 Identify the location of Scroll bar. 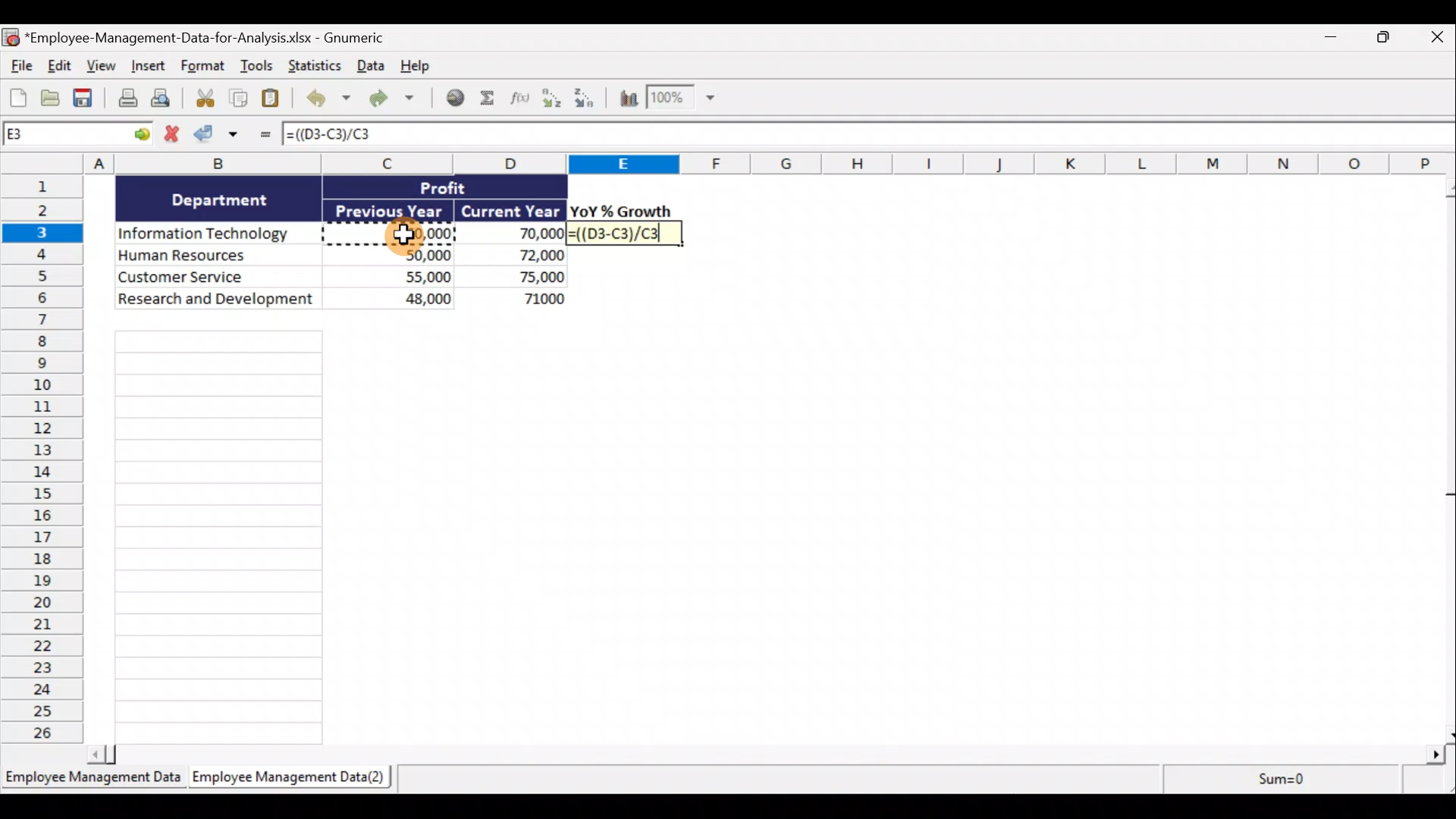
(766, 757).